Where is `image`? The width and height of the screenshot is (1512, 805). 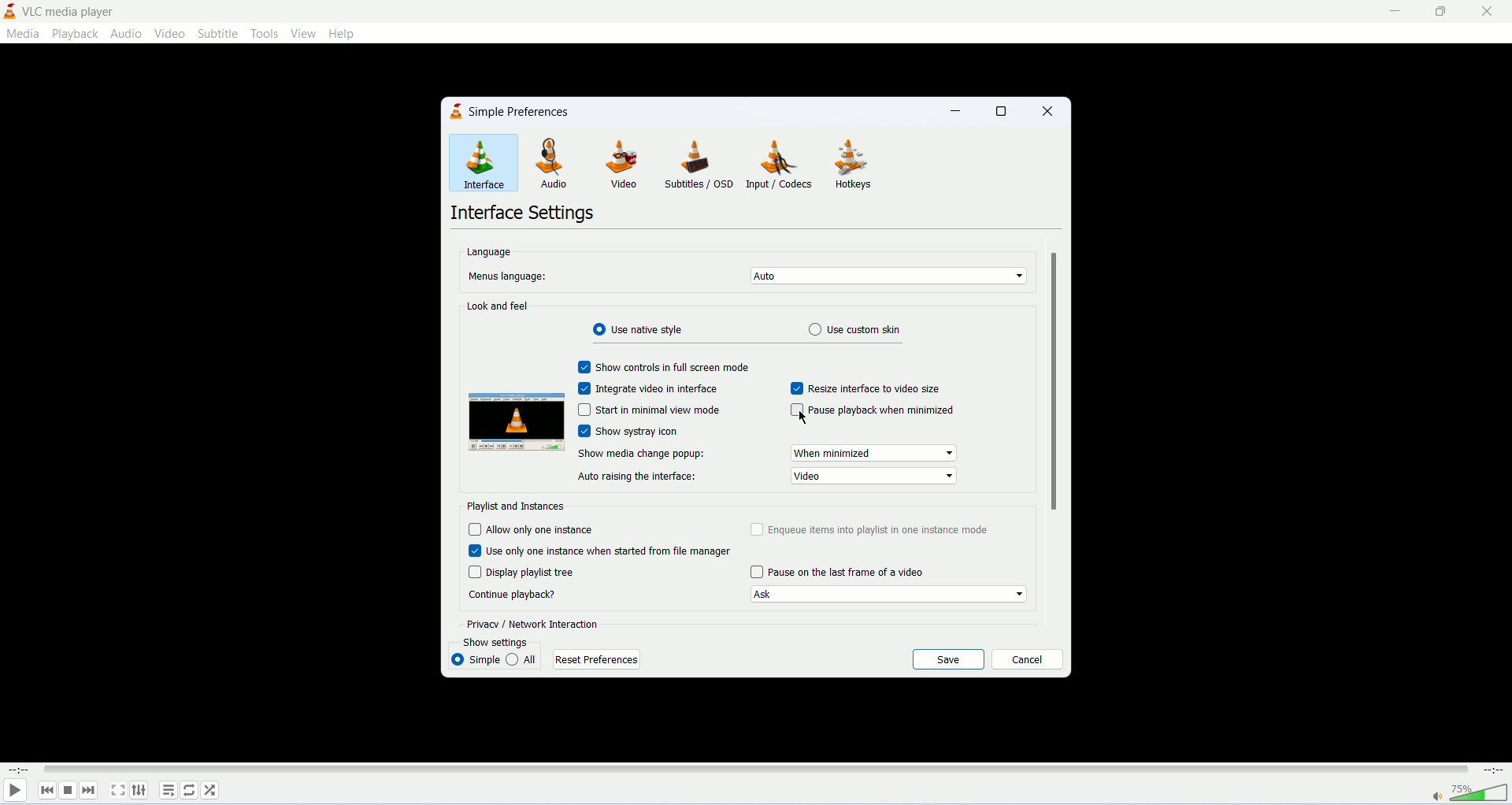 image is located at coordinates (515, 421).